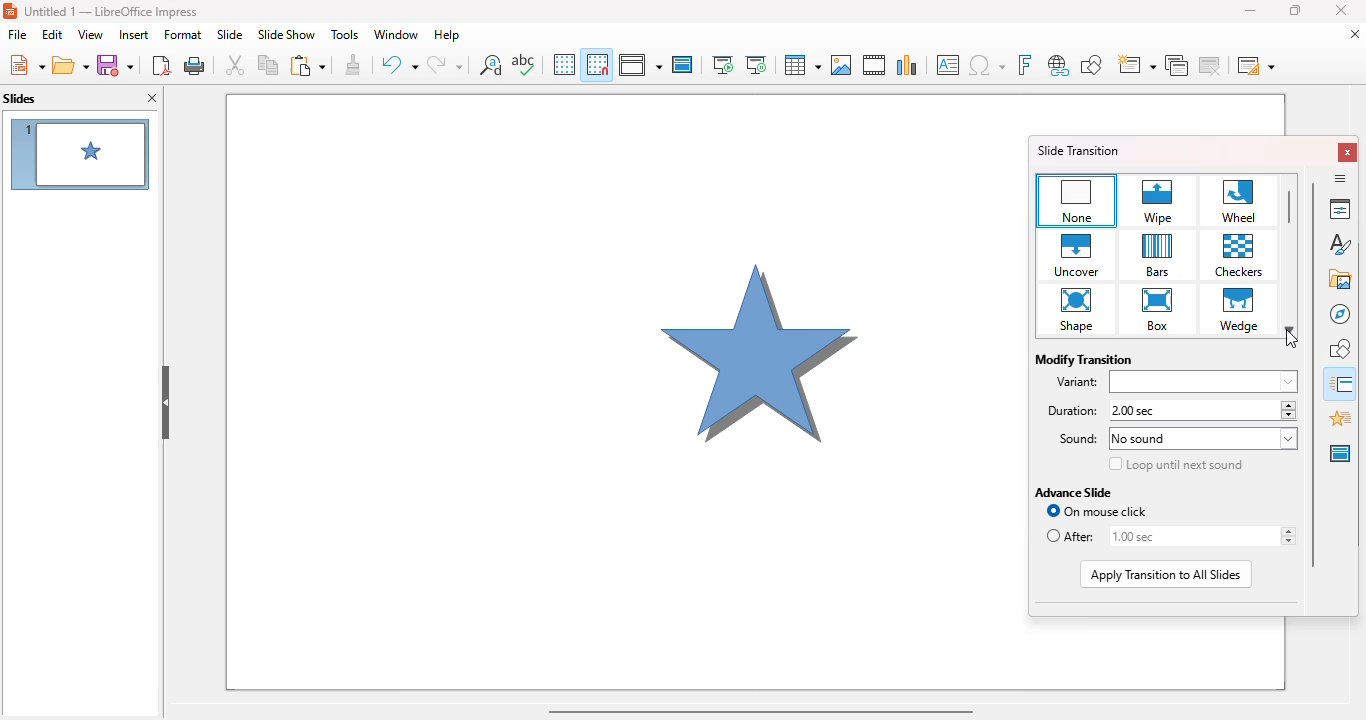 This screenshot has height=720, width=1366. What do you see at coordinates (1077, 310) in the screenshot?
I see `shape` at bounding box center [1077, 310].